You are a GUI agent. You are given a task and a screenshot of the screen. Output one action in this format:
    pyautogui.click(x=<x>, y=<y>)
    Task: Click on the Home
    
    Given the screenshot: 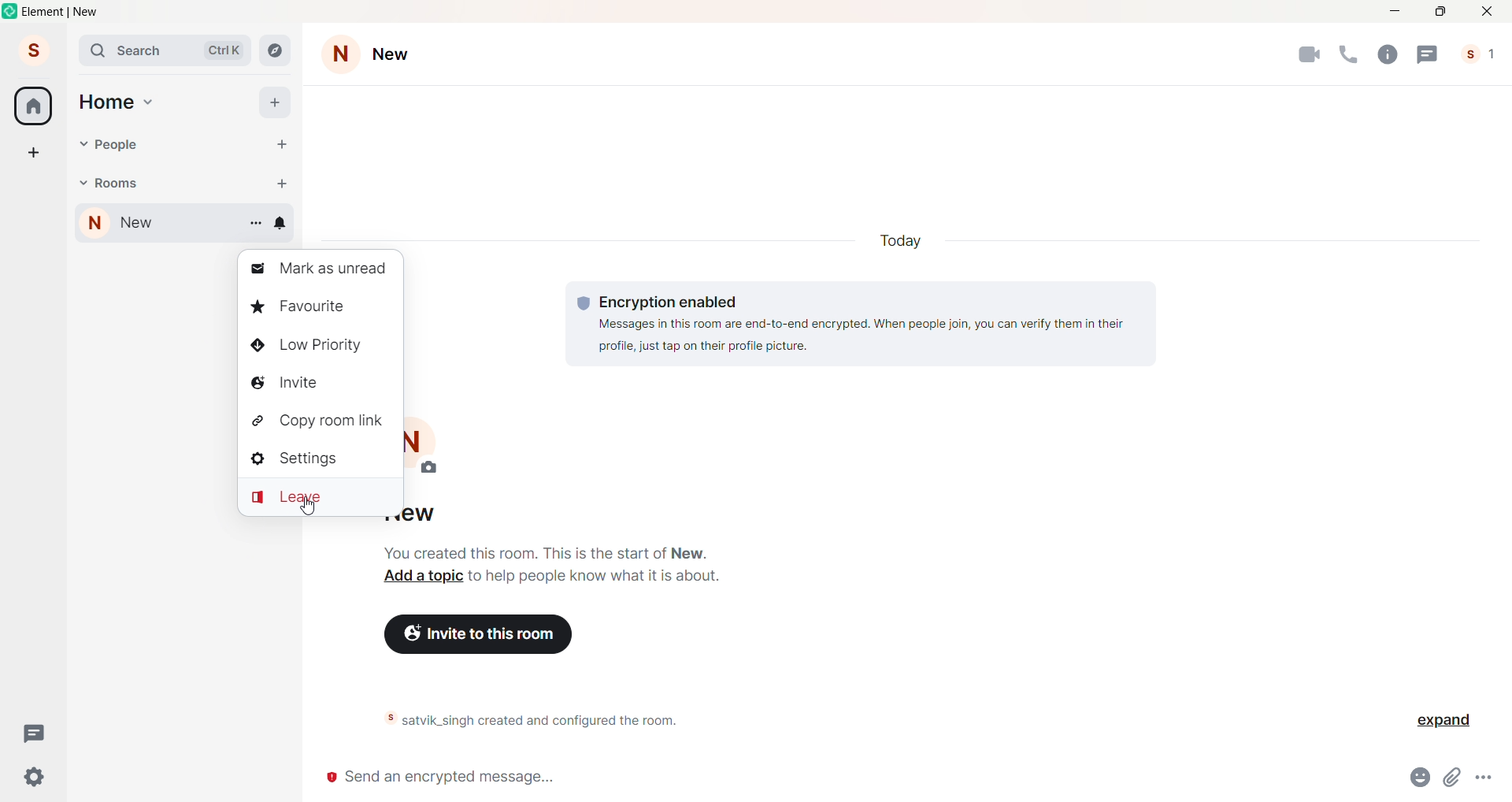 What is the action you would take?
    pyautogui.click(x=106, y=100)
    